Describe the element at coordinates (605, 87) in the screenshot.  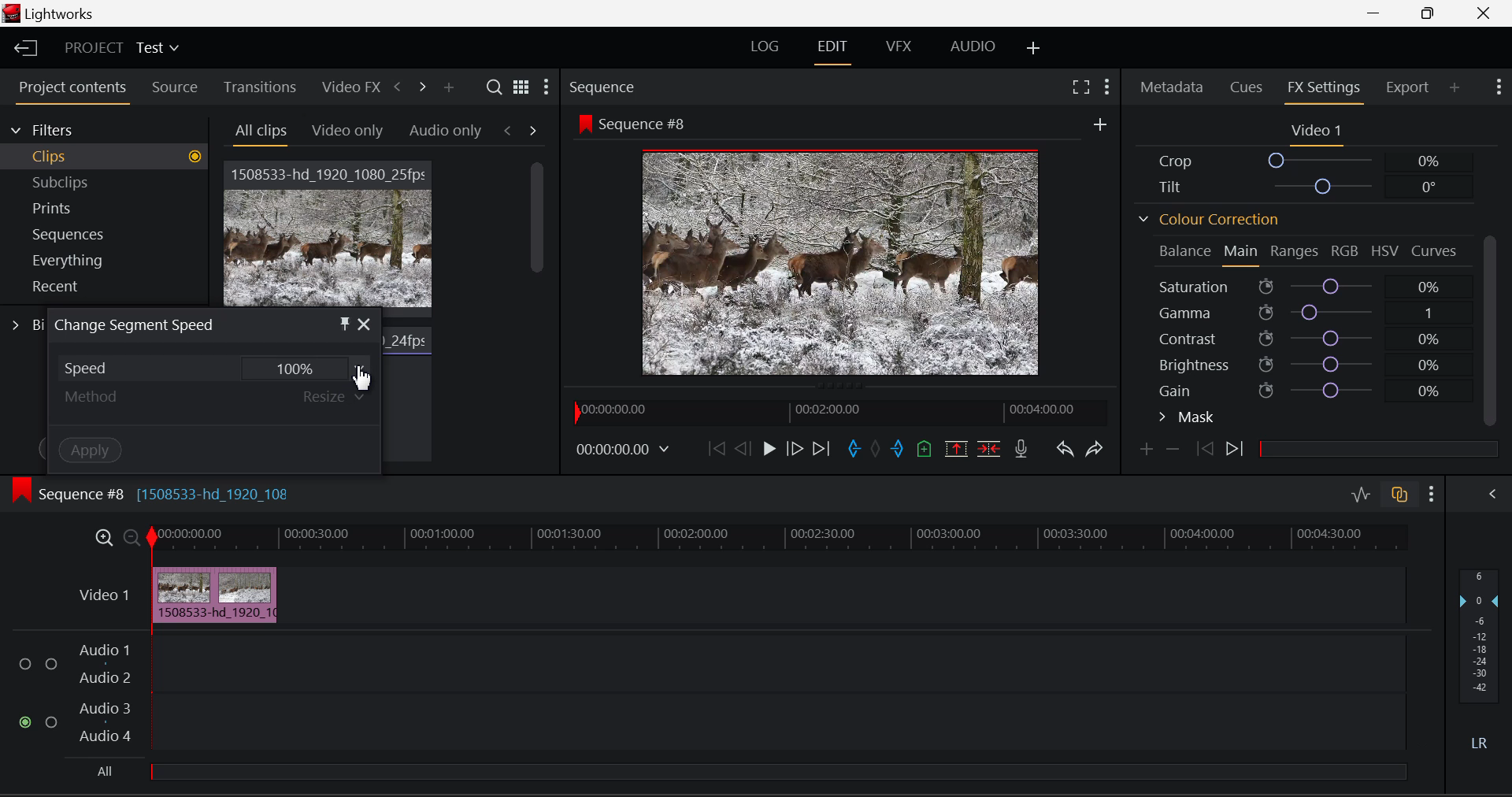
I see `Sequence Preview Section Heading` at that location.